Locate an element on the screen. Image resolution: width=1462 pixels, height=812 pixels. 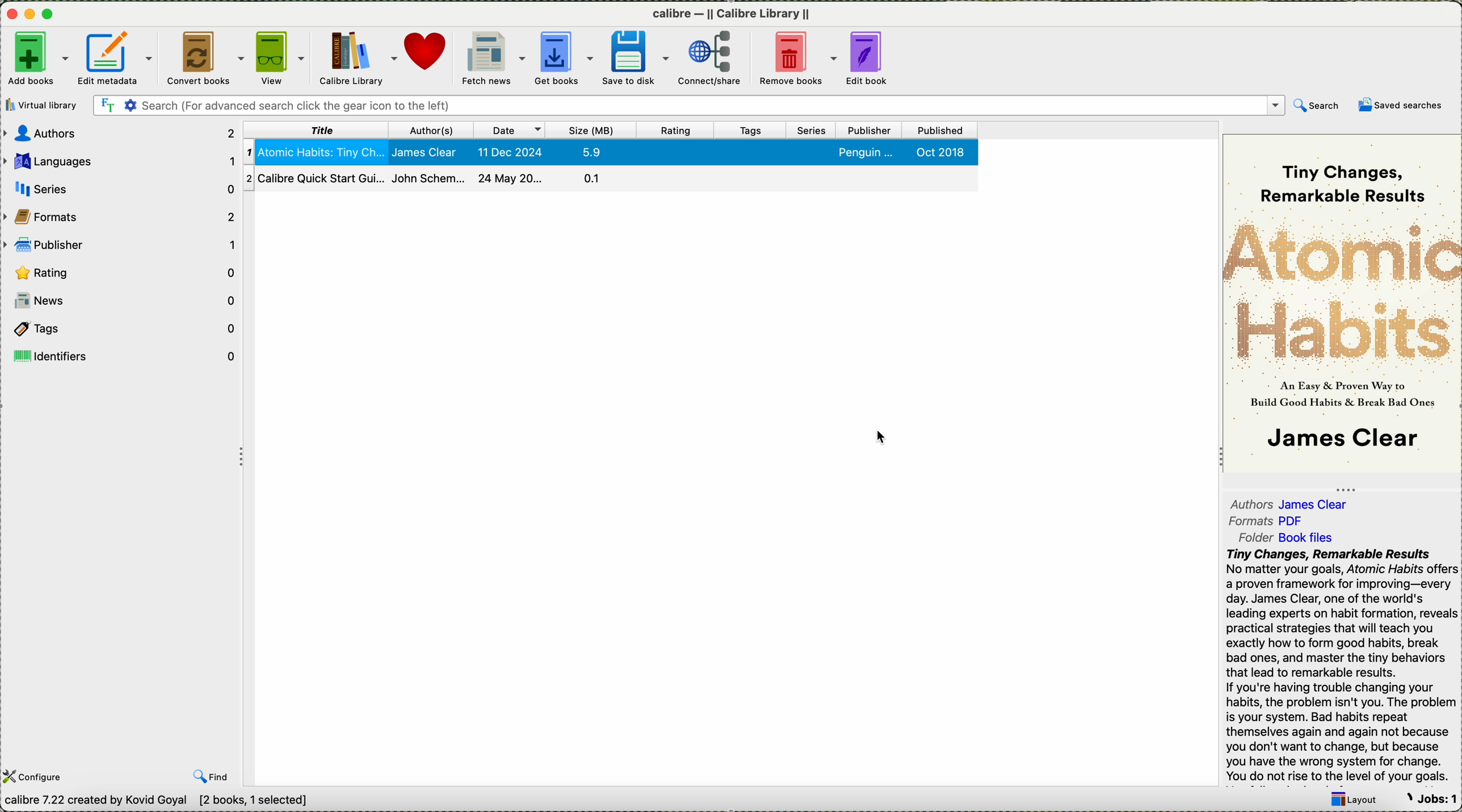
format is located at coordinates (1269, 522).